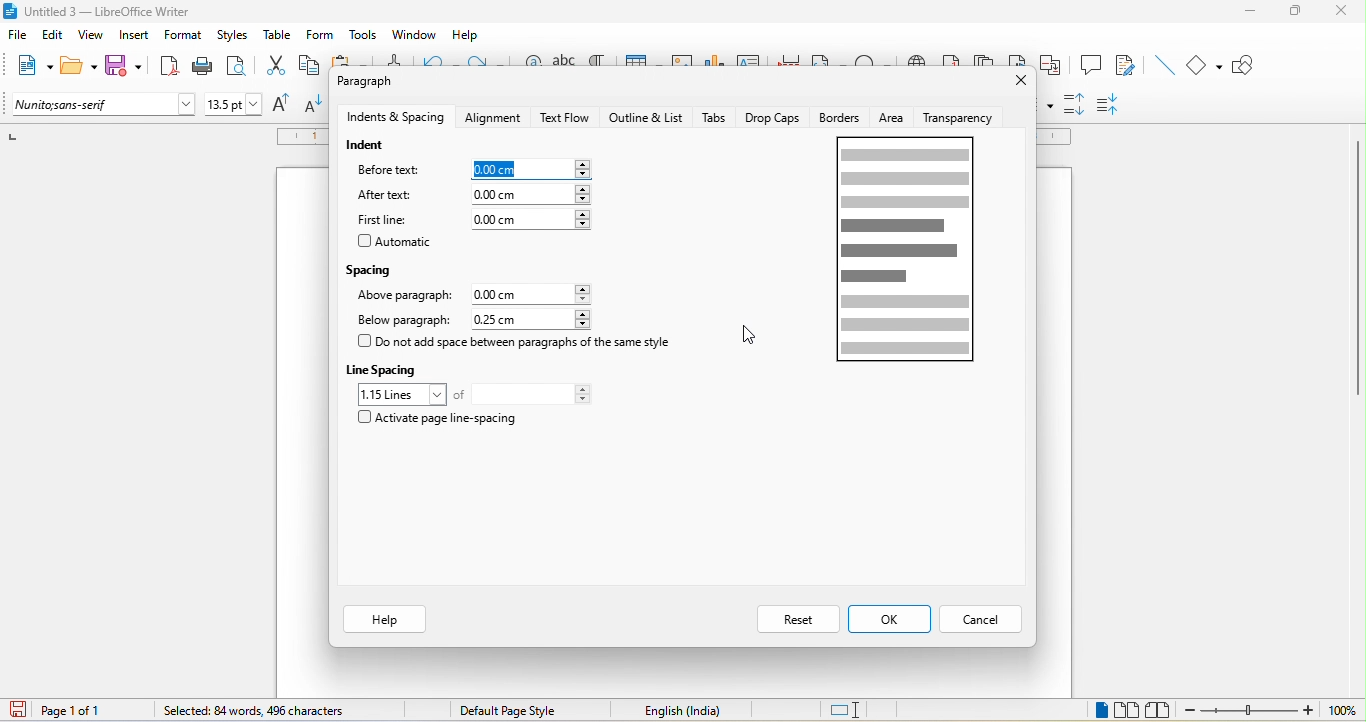 The height and width of the screenshot is (722, 1366). I want to click on close, so click(1019, 79).